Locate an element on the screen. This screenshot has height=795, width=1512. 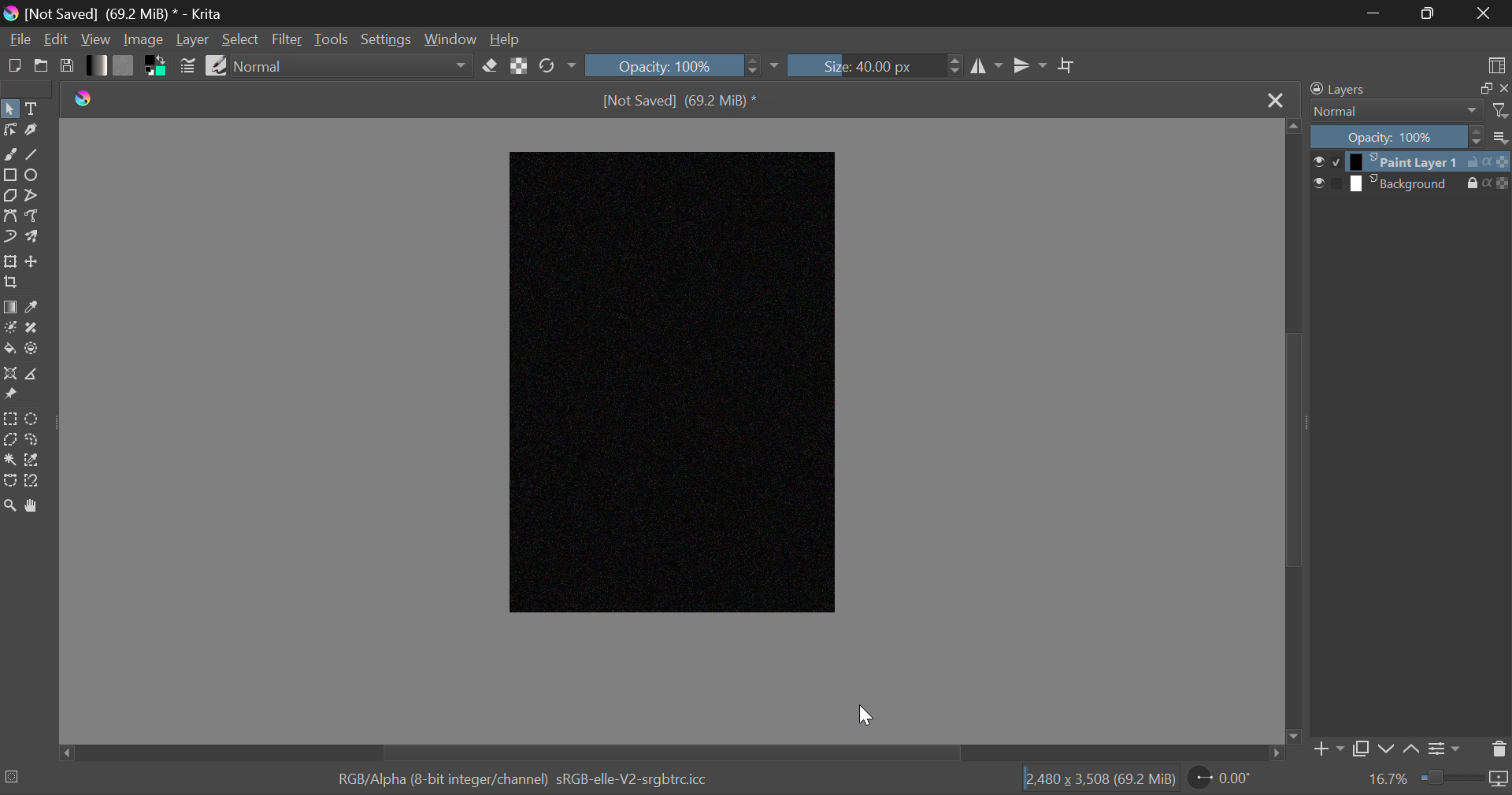
Vertical Mirror Flip is located at coordinates (988, 66).